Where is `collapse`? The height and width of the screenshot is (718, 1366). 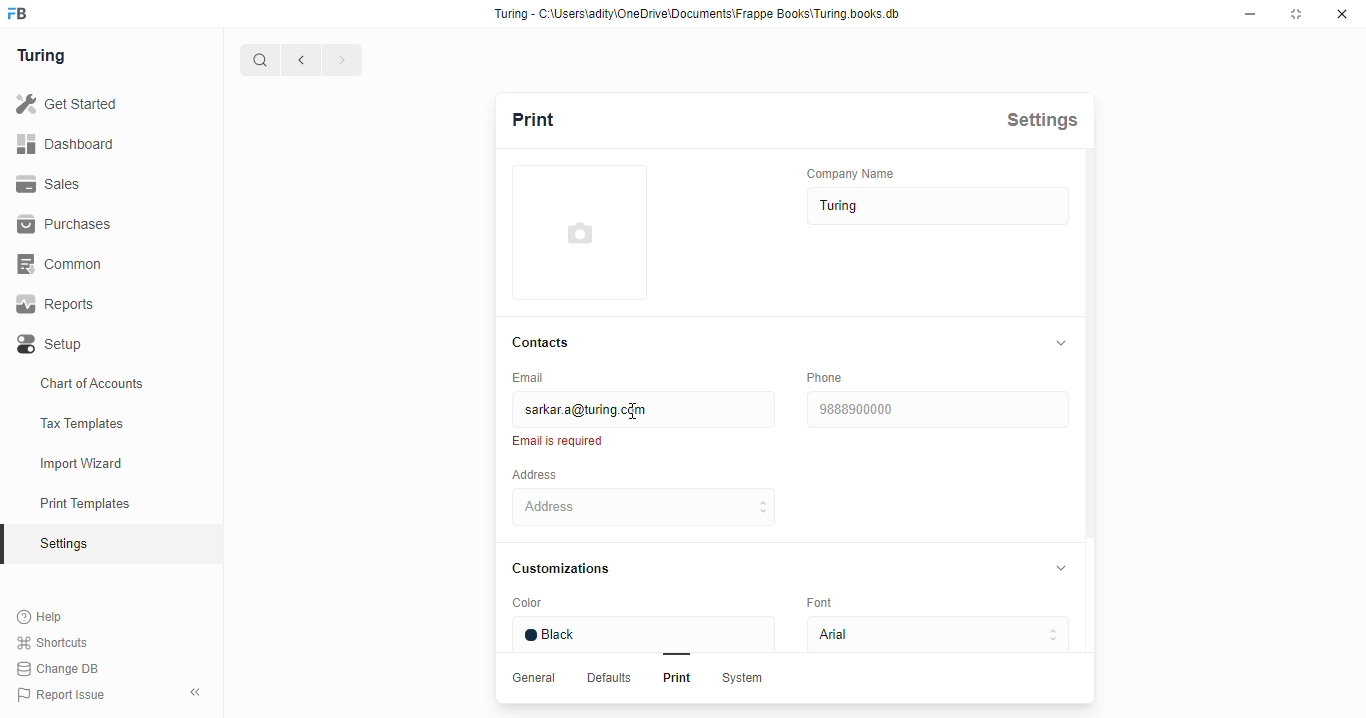 collapse is located at coordinates (1066, 570).